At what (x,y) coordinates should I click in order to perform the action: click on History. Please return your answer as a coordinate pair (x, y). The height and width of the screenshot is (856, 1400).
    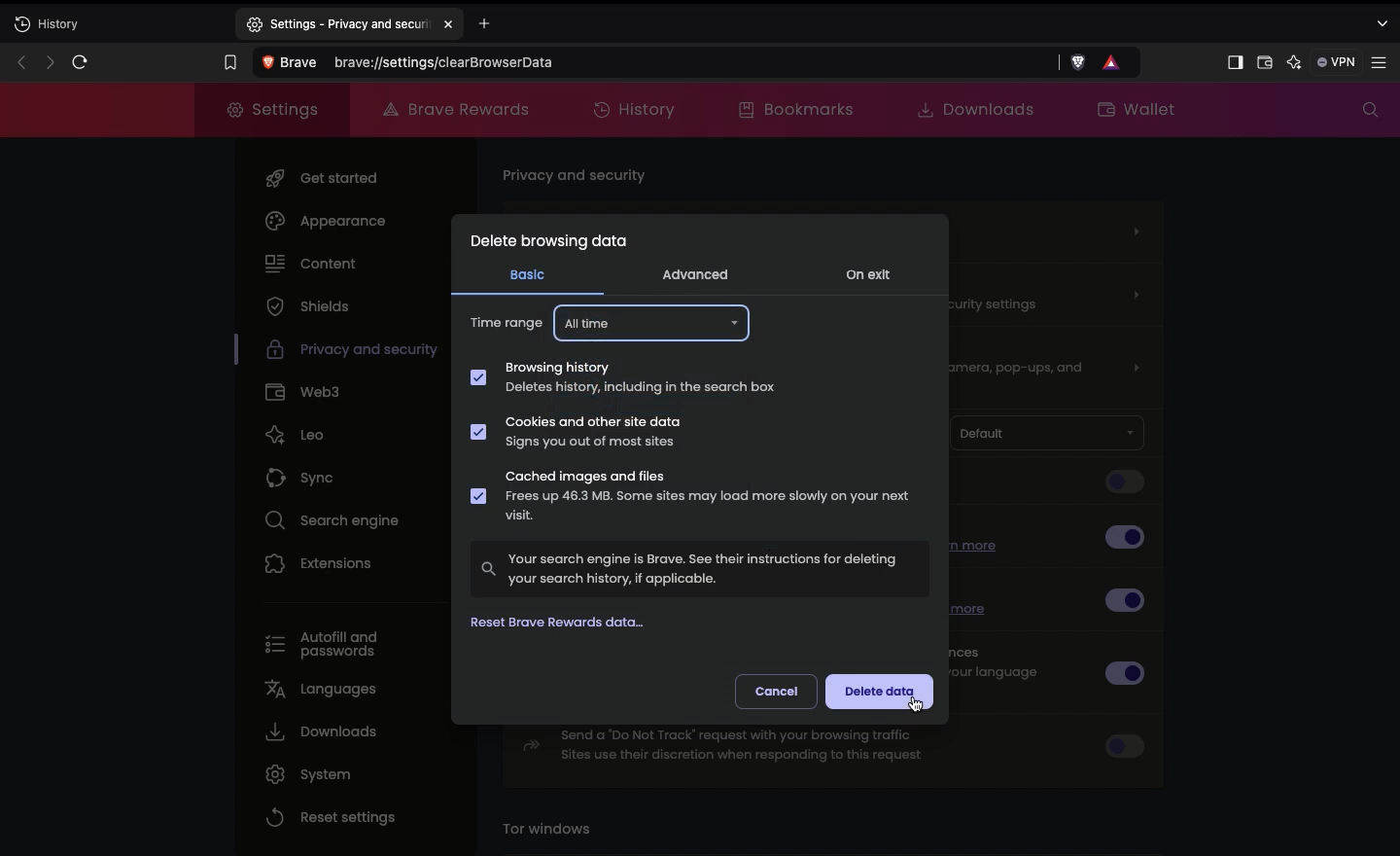
    Looking at the image, I should click on (639, 108).